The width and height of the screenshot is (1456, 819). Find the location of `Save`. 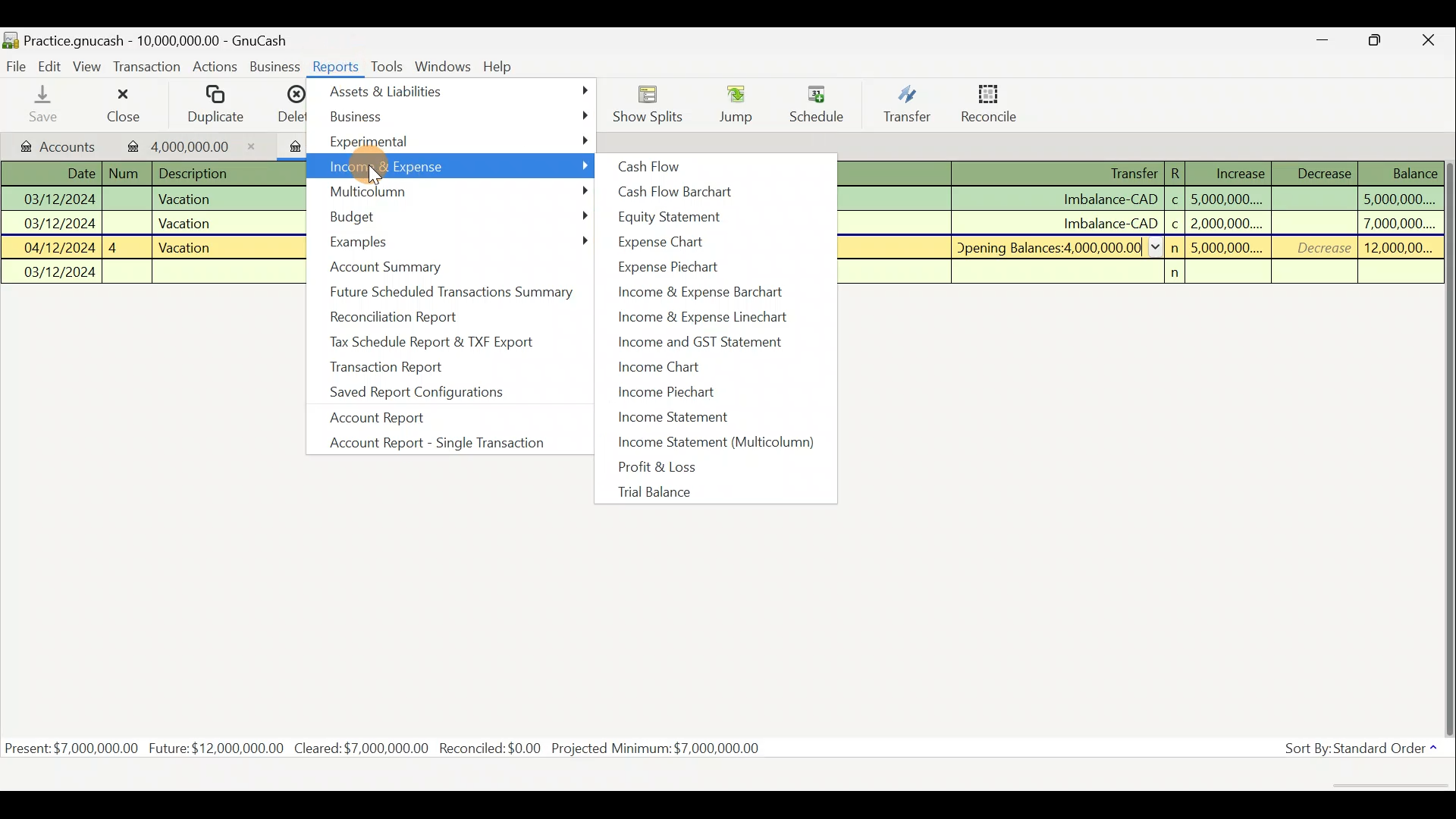

Save is located at coordinates (44, 107).